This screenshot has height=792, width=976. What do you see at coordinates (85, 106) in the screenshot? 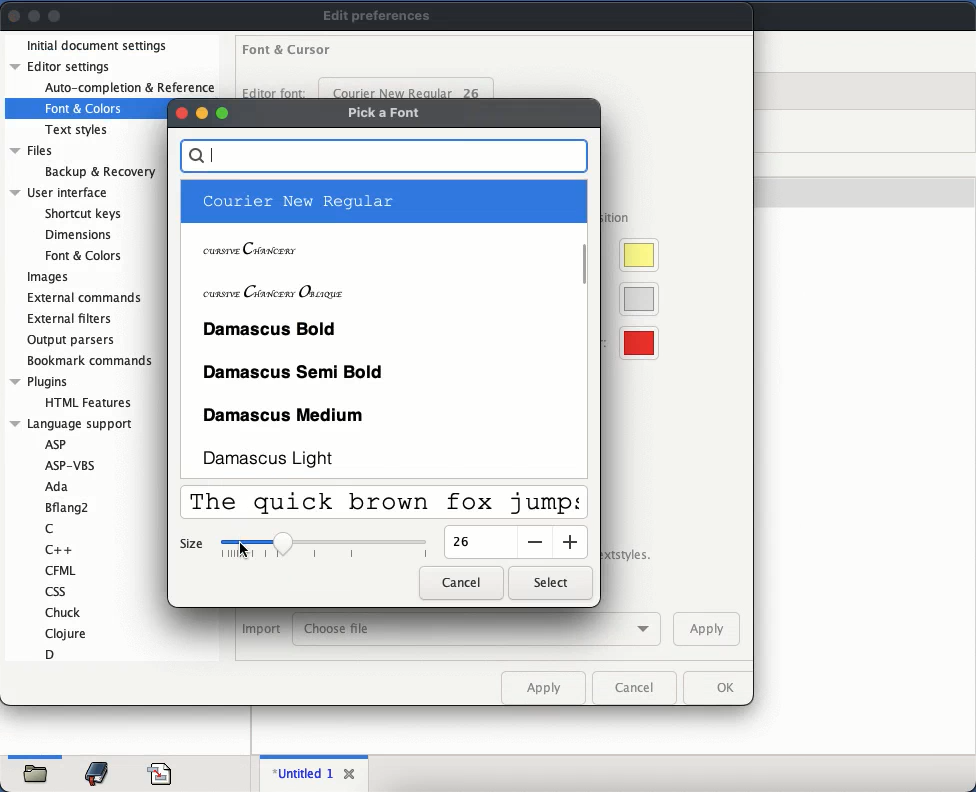
I see `font and colors` at bounding box center [85, 106].